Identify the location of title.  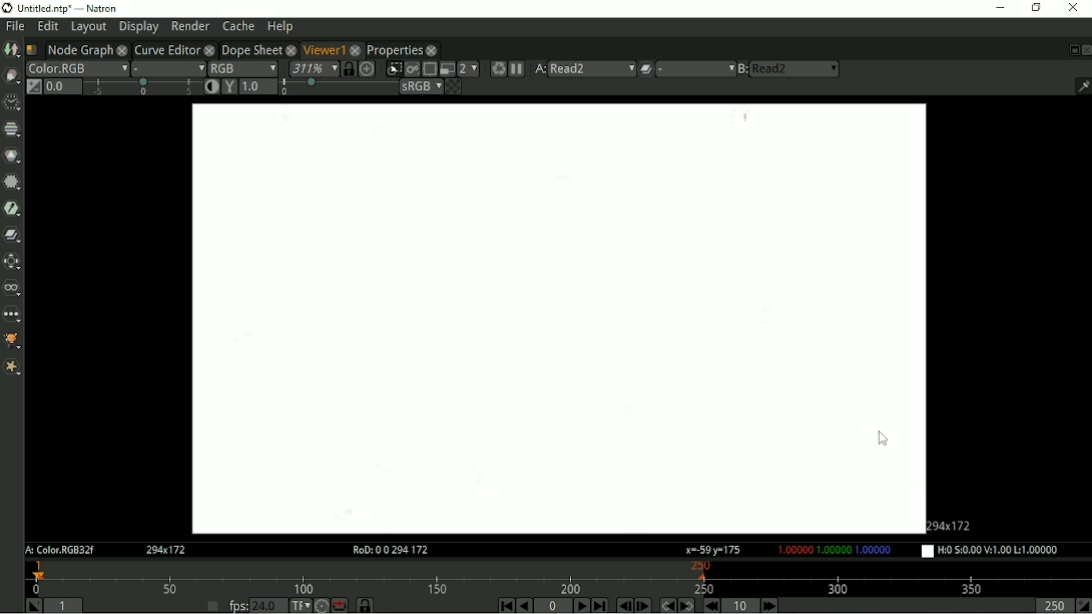
(101, 7).